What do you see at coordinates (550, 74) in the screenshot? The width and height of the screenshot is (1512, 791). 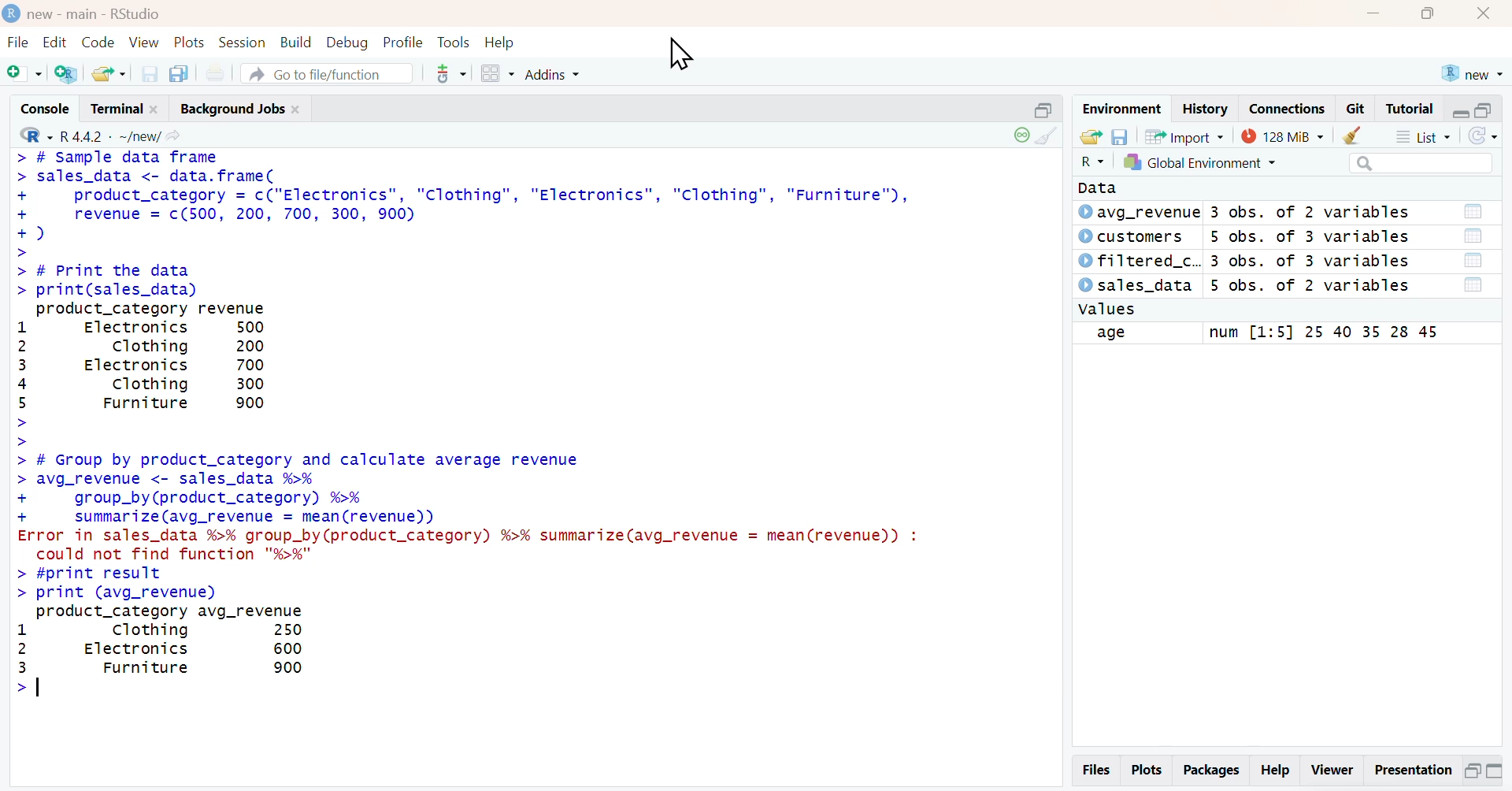 I see `Addins` at bounding box center [550, 74].